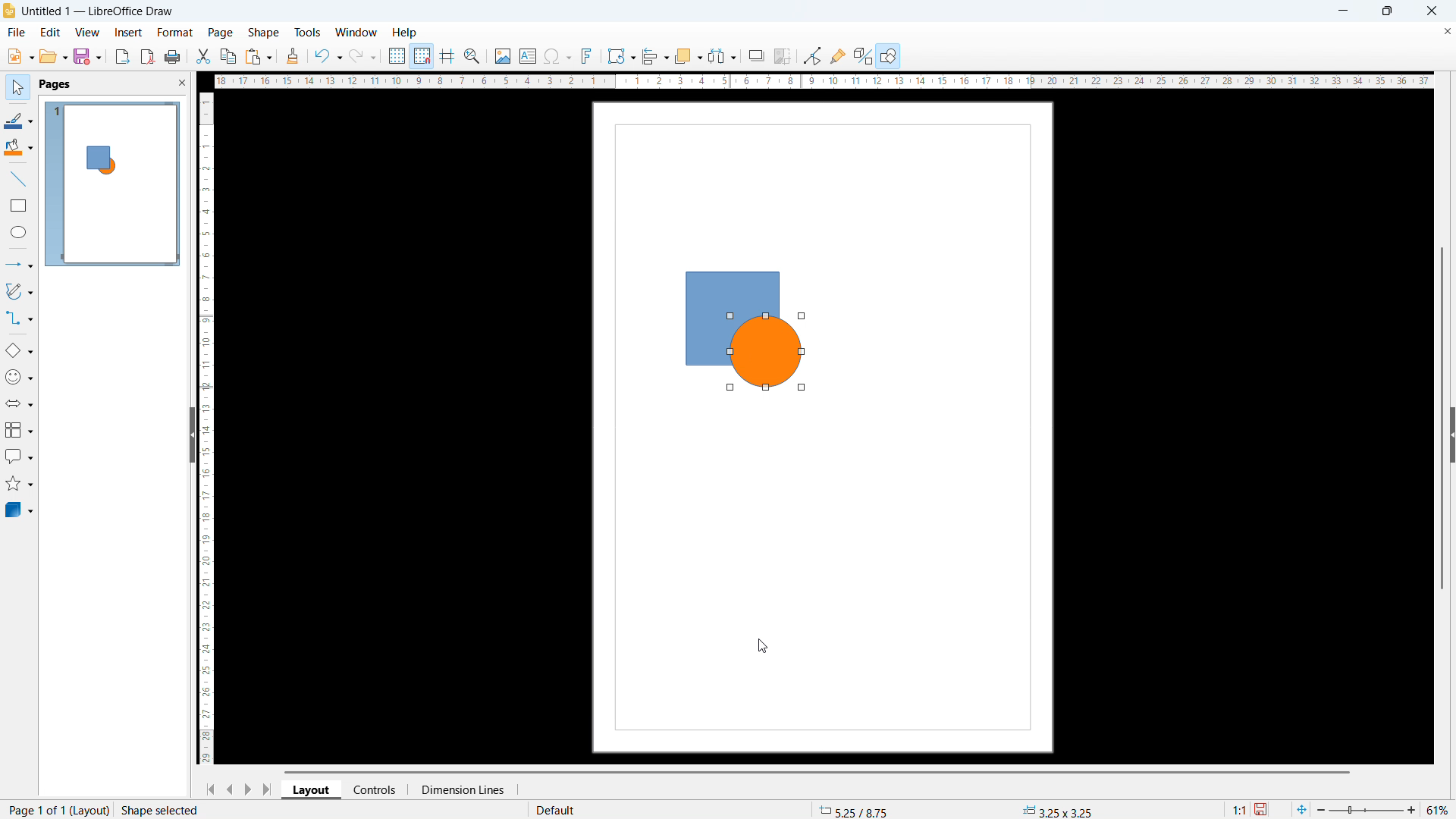 The width and height of the screenshot is (1456, 819). Describe the element at coordinates (849, 809) in the screenshot. I see `cursor coordinates` at that location.